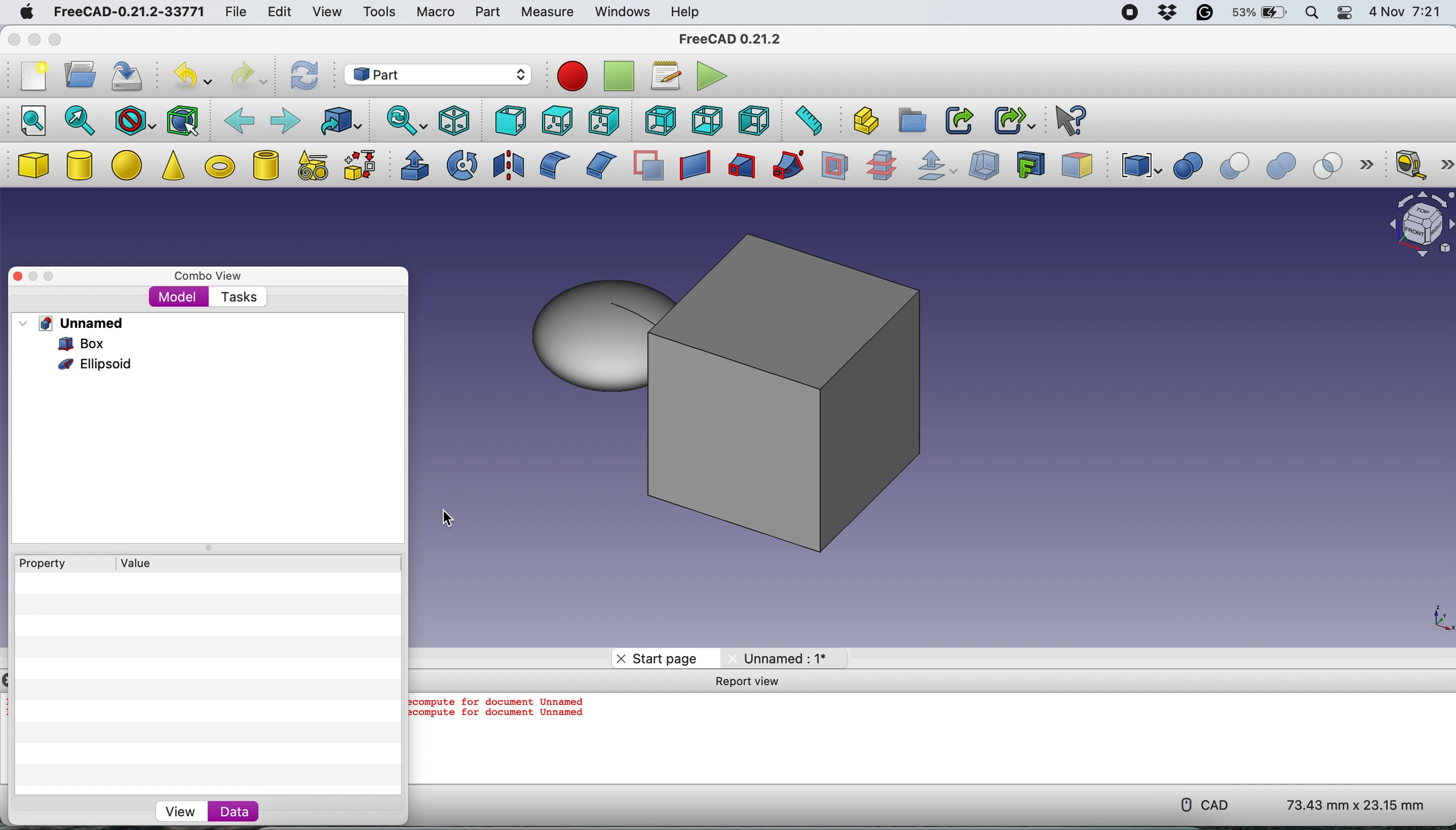  I want to click on grammarly, so click(1205, 14).